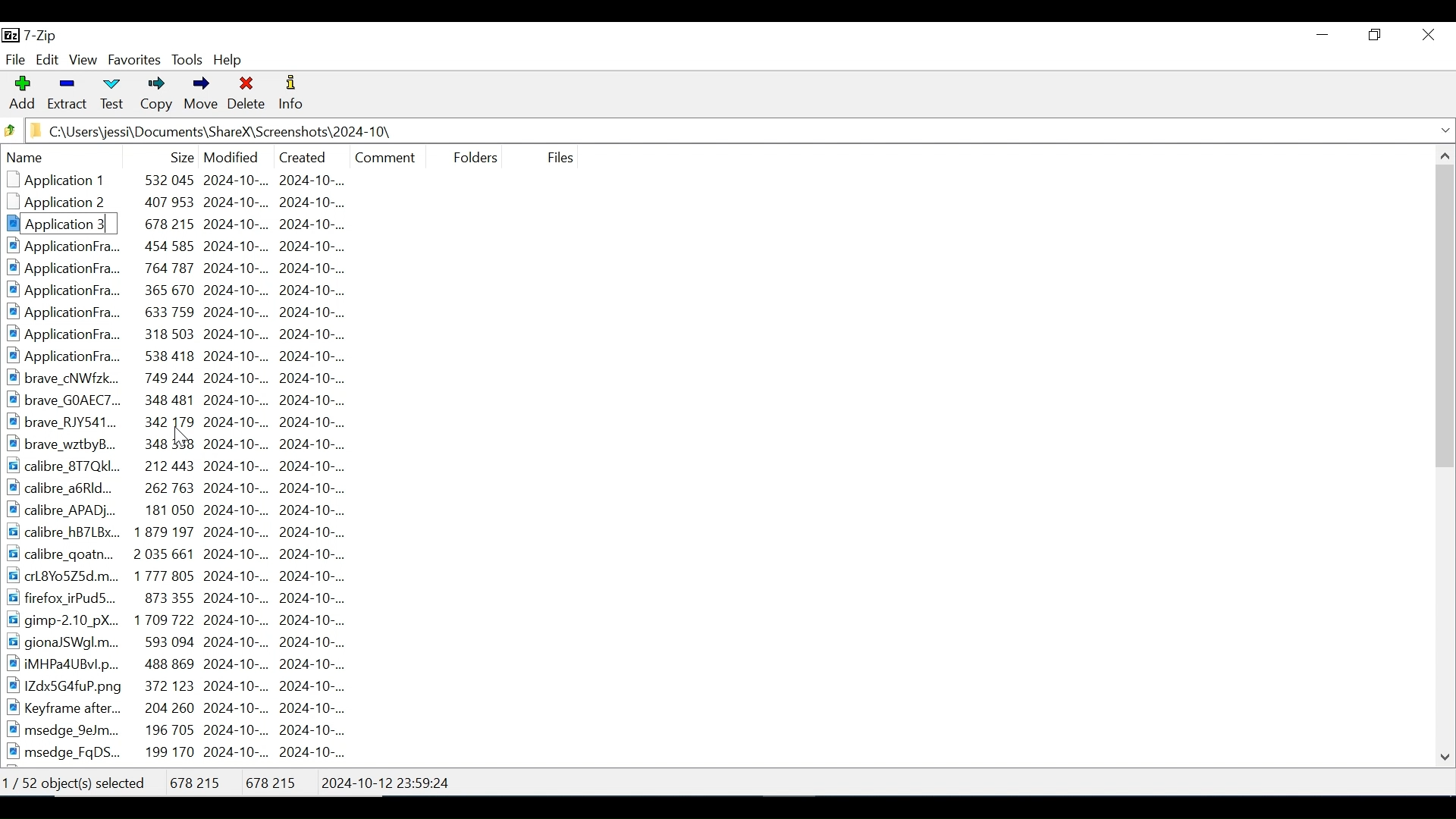 The image size is (1456, 819). What do you see at coordinates (188, 60) in the screenshot?
I see `Tools` at bounding box center [188, 60].